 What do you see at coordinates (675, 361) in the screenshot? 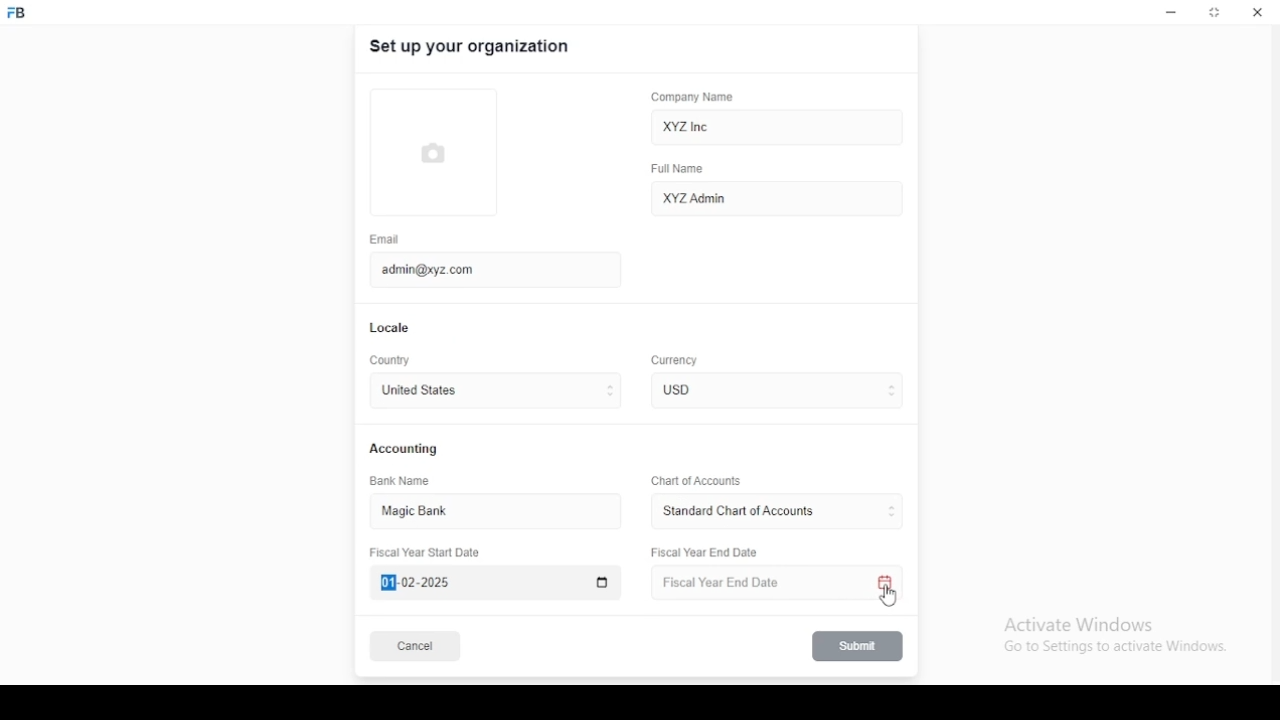
I see `Currency` at bounding box center [675, 361].